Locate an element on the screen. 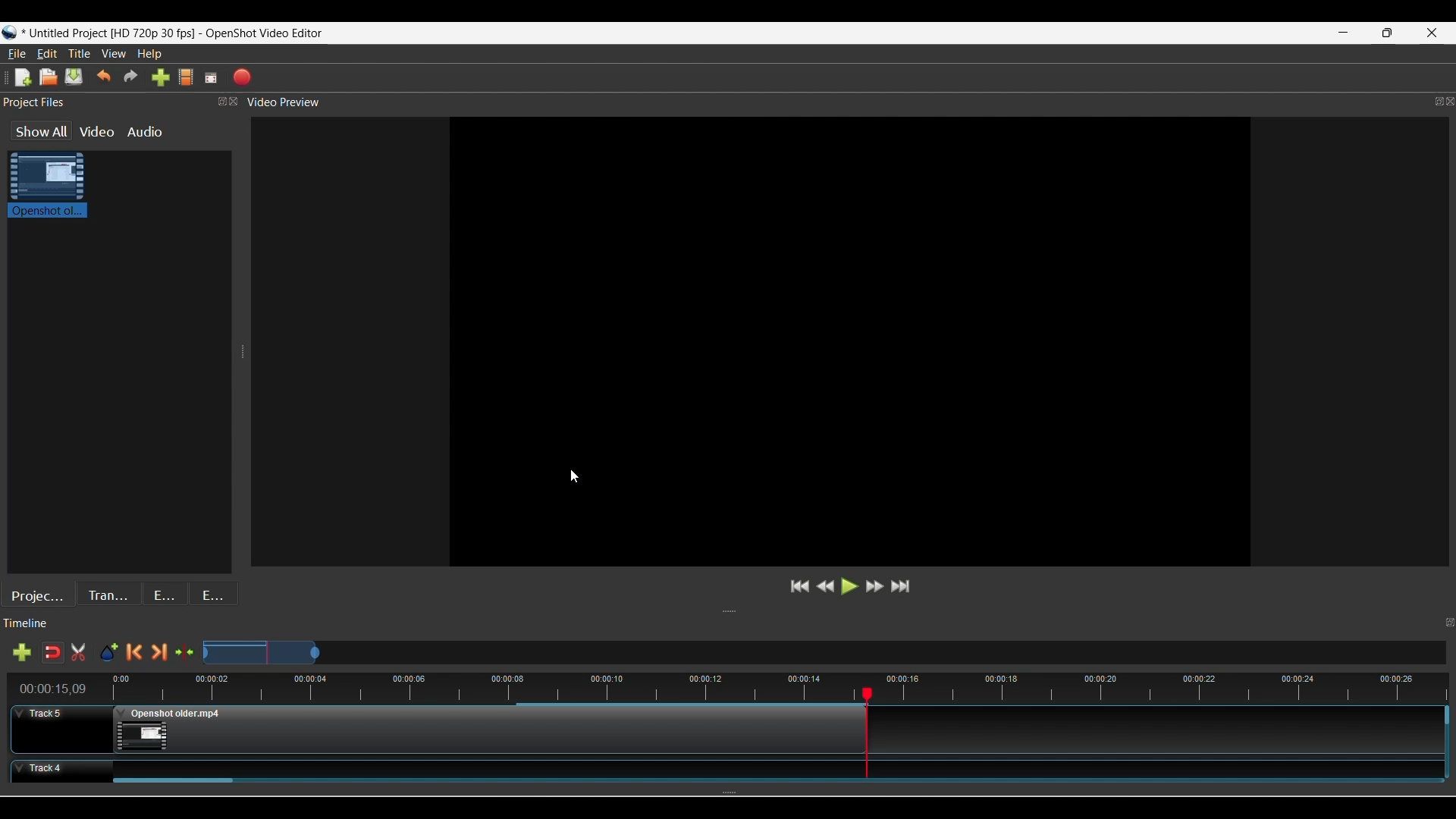 This screenshot has height=819, width=1456. Emojis is located at coordinates (213, 593).